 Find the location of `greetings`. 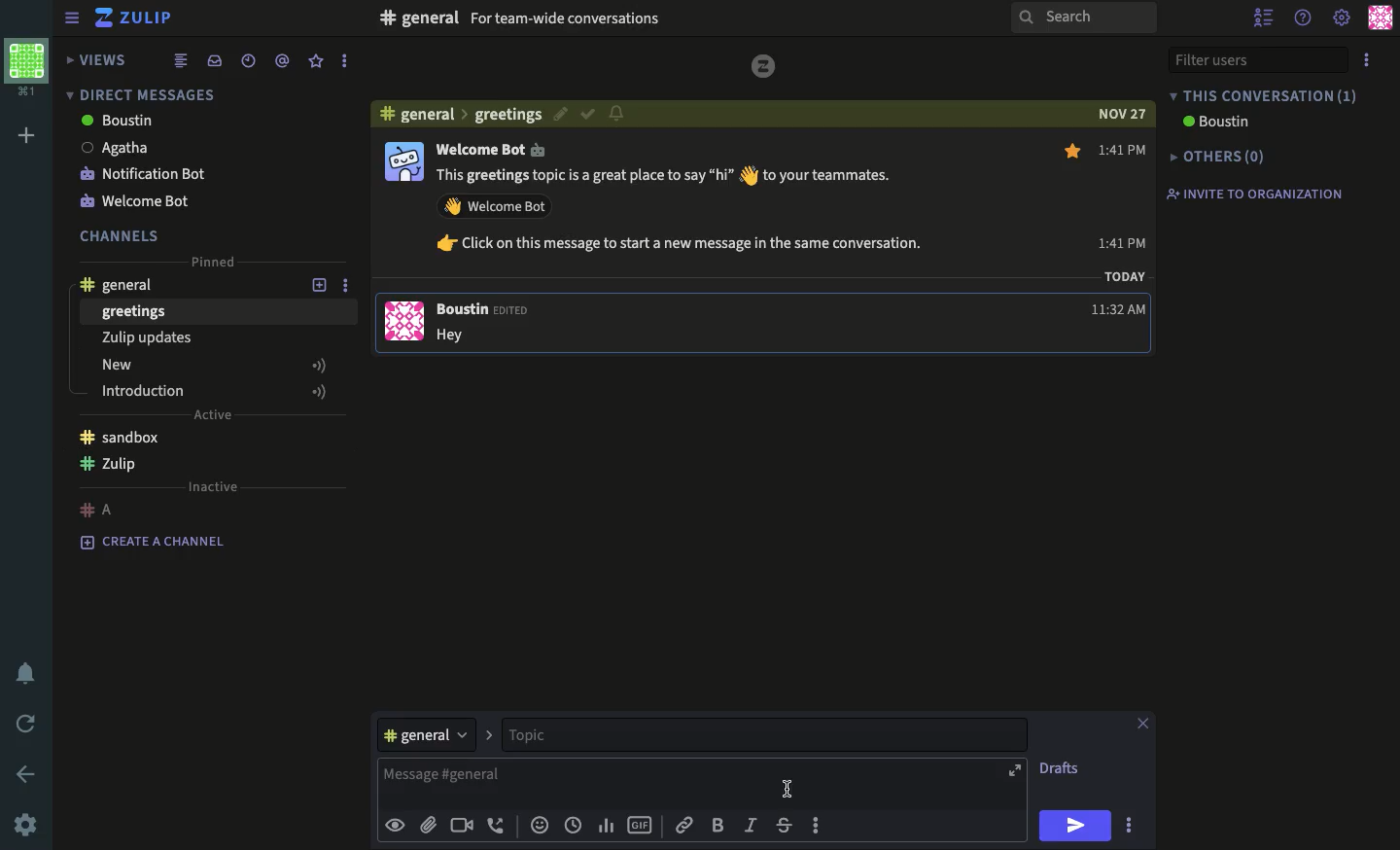

greetings is located at coordinates (135, 311).